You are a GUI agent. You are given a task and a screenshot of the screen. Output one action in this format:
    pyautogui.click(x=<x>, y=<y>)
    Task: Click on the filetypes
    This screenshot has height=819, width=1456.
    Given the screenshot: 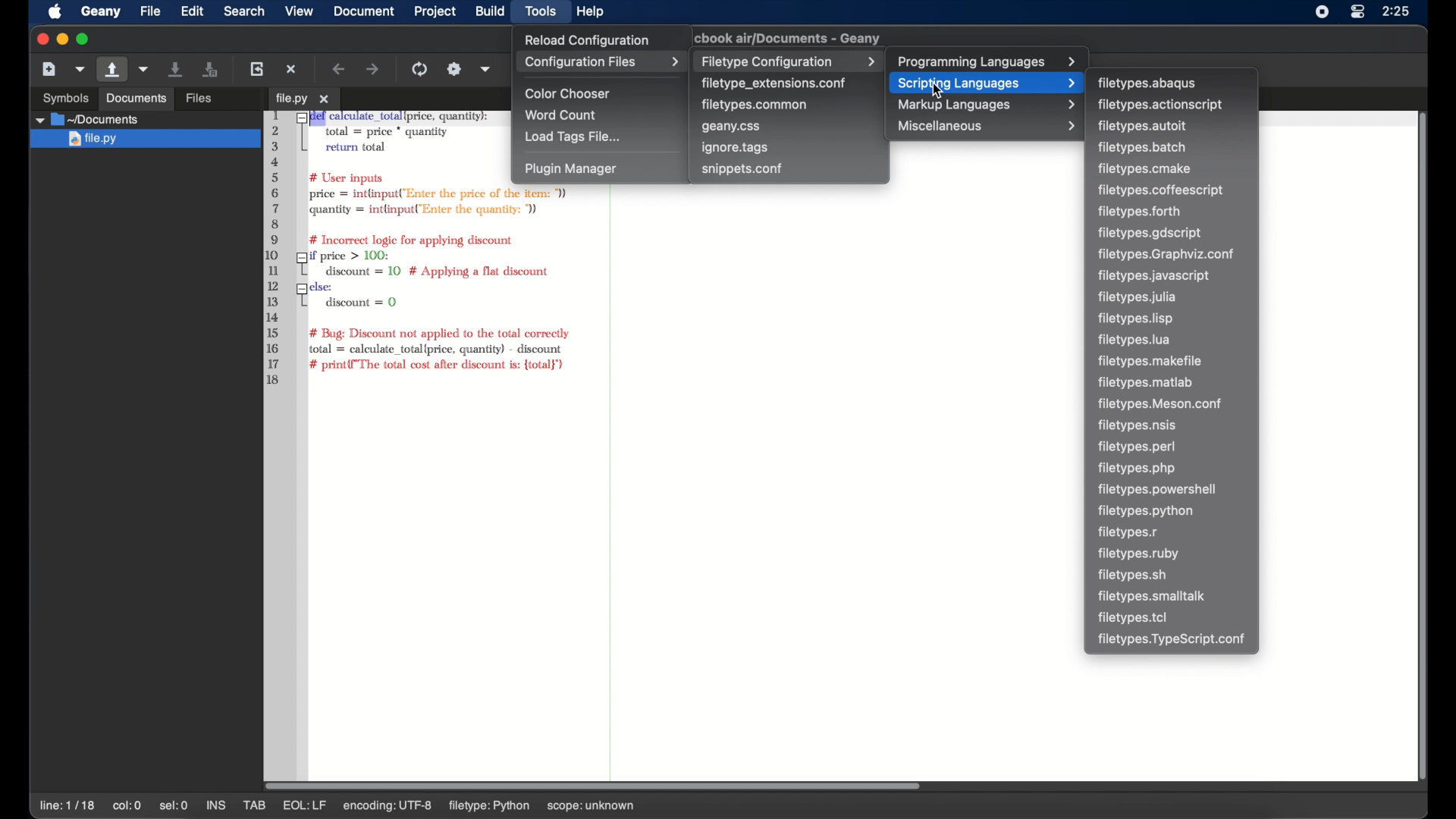 What is the action you would take?
    pyautogui.click(x=1162, y=105)
    